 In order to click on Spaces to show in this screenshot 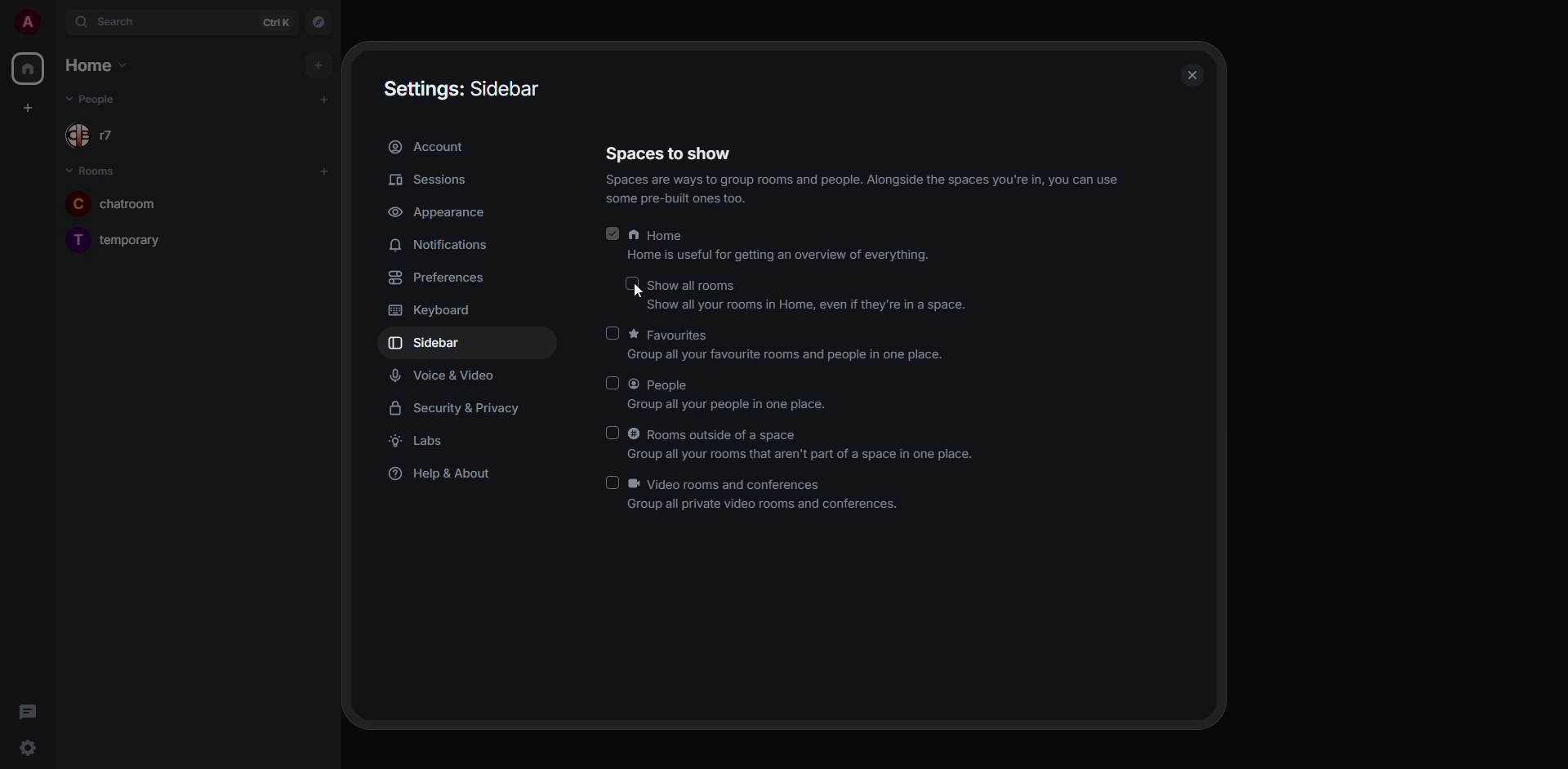, I will do `click(671, 150)`.